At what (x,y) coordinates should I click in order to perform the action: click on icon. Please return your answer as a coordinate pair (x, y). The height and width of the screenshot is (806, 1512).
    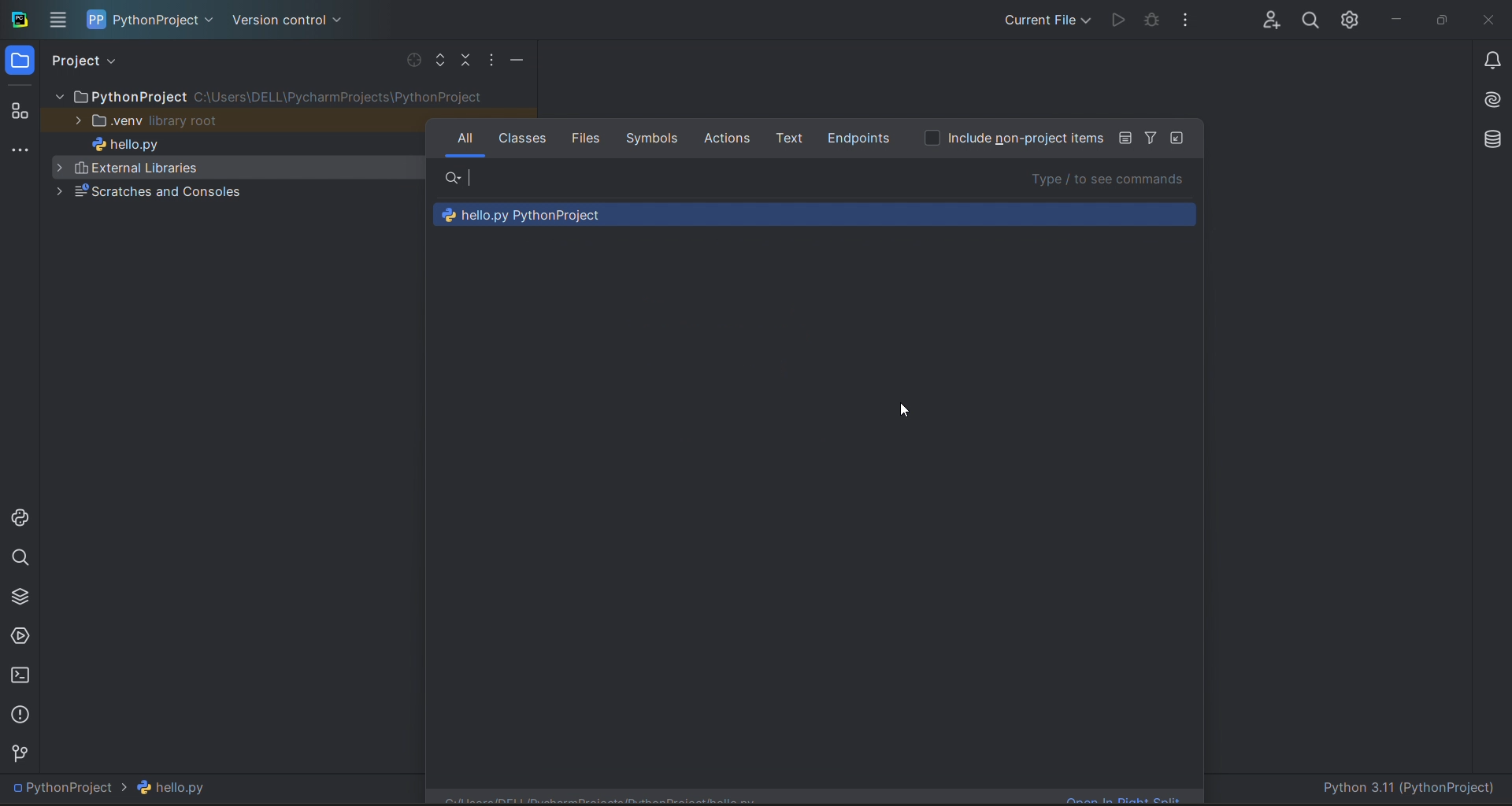
    Looking at the image, I should click on (1125, 139).